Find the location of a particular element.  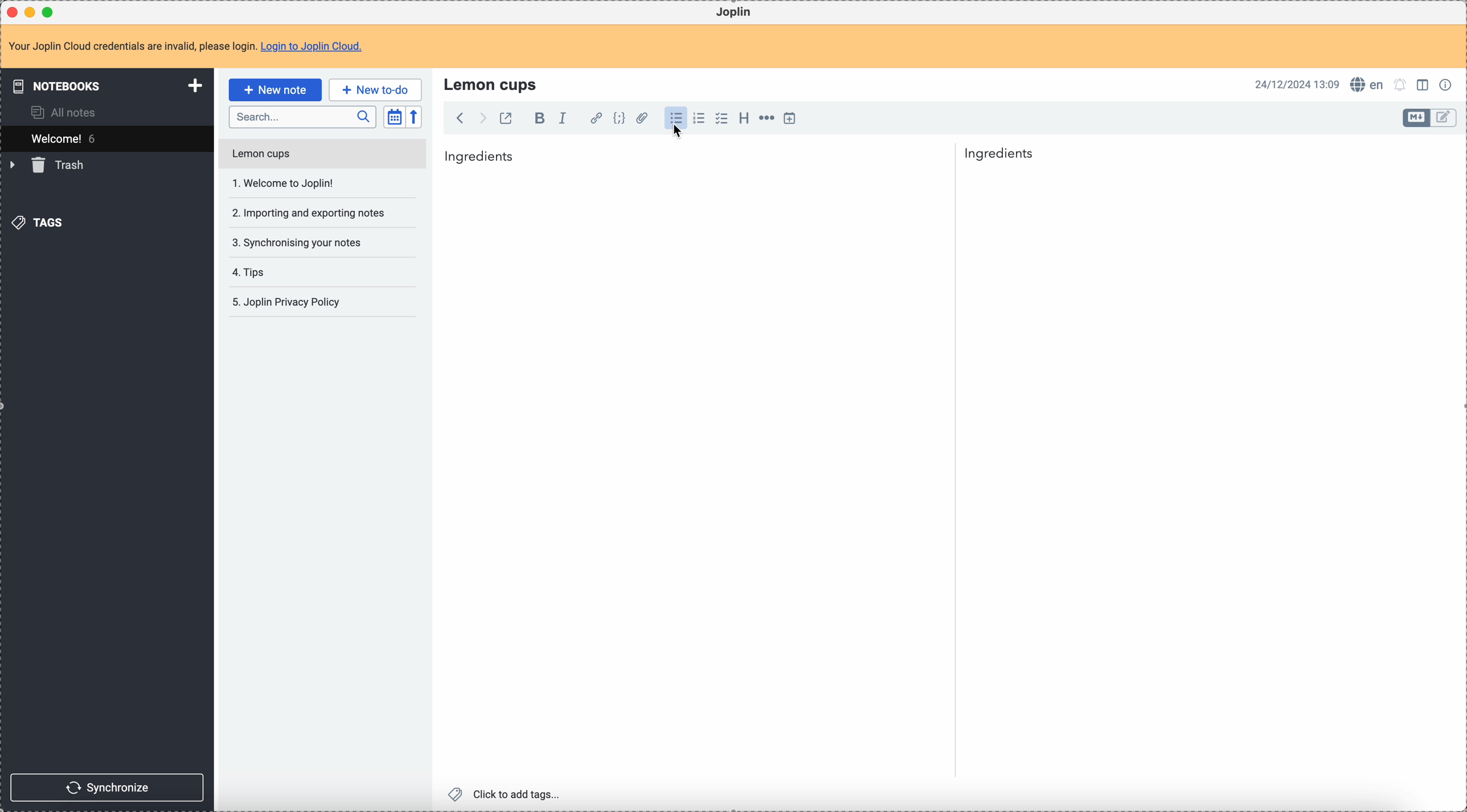

minimize is located at coordinates (32, 13).